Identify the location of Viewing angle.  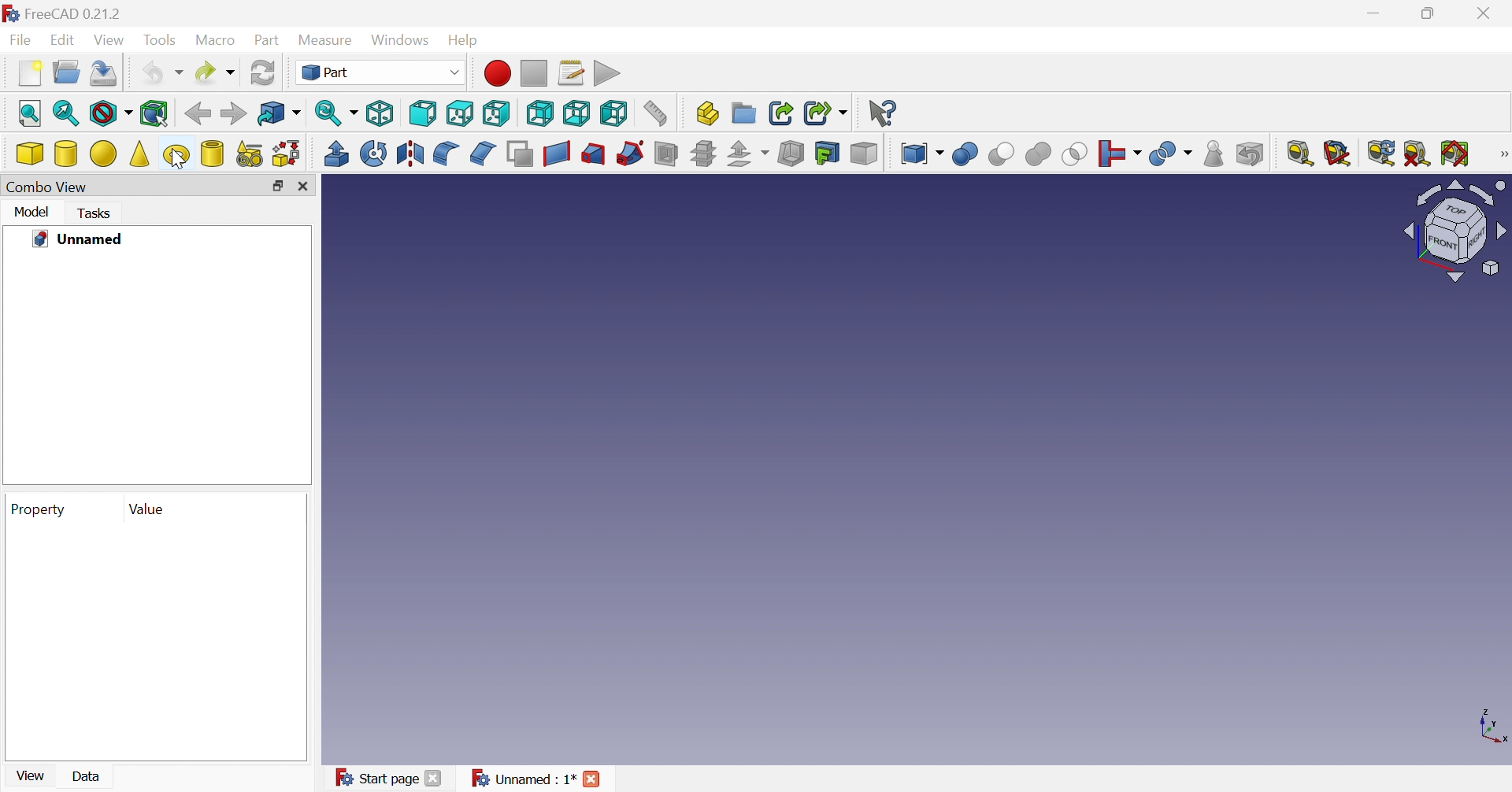
(1455, 232).